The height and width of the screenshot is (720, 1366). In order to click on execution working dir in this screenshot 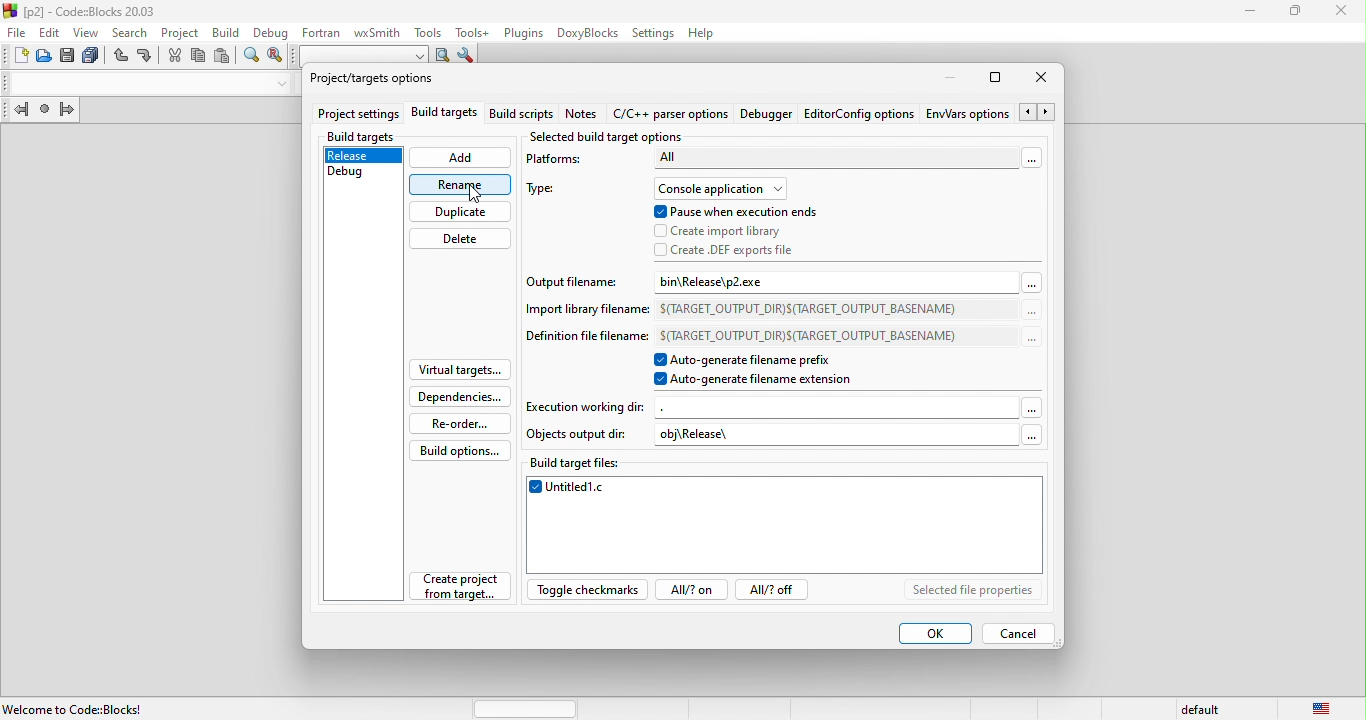, I will do `click(587, 406)`.